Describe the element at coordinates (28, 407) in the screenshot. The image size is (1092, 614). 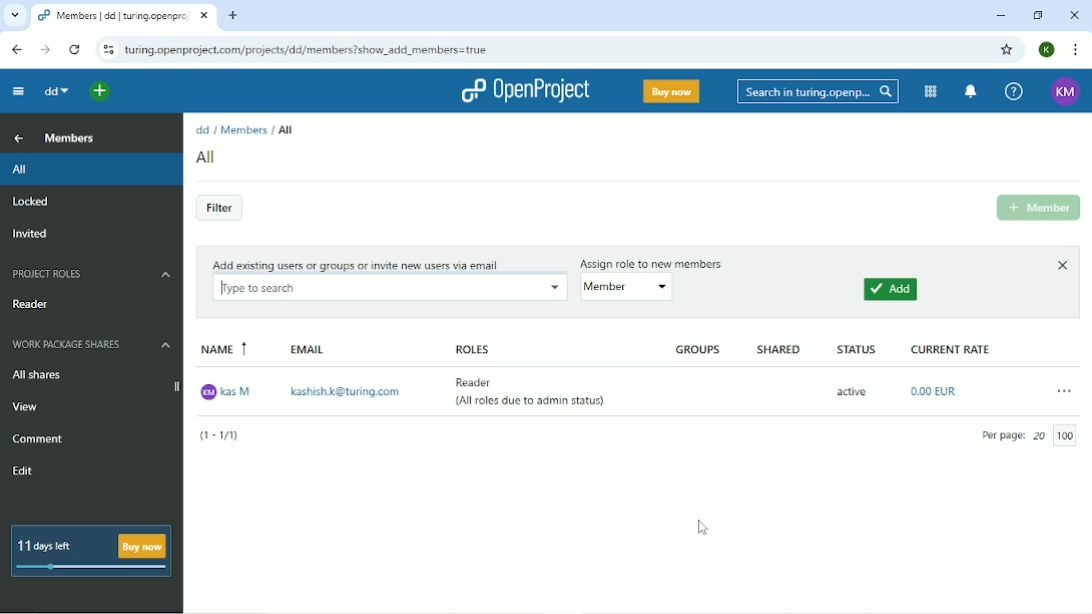
I see `View` at that location.